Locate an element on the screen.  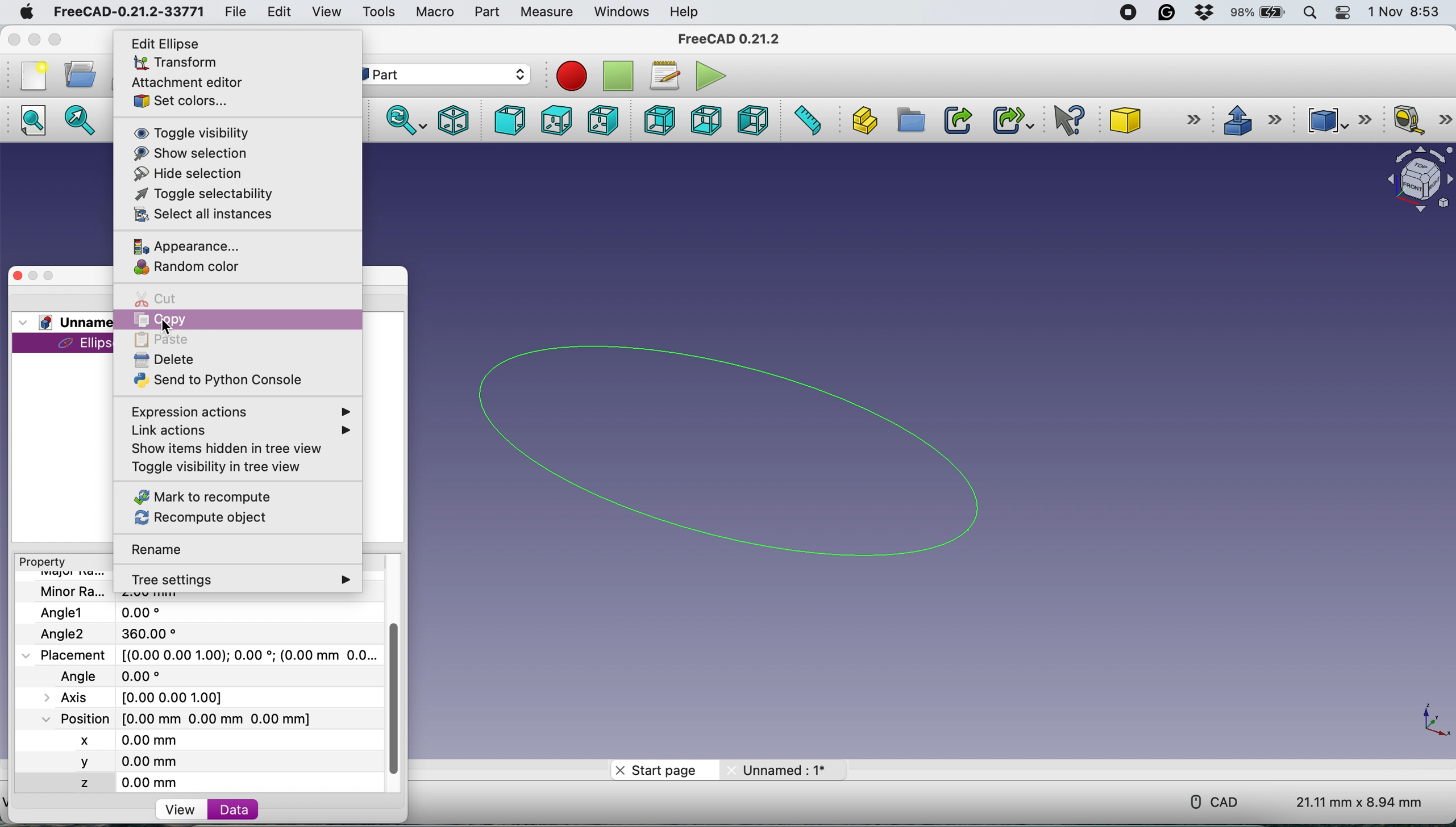
random color is located at coordinates (192, 268).